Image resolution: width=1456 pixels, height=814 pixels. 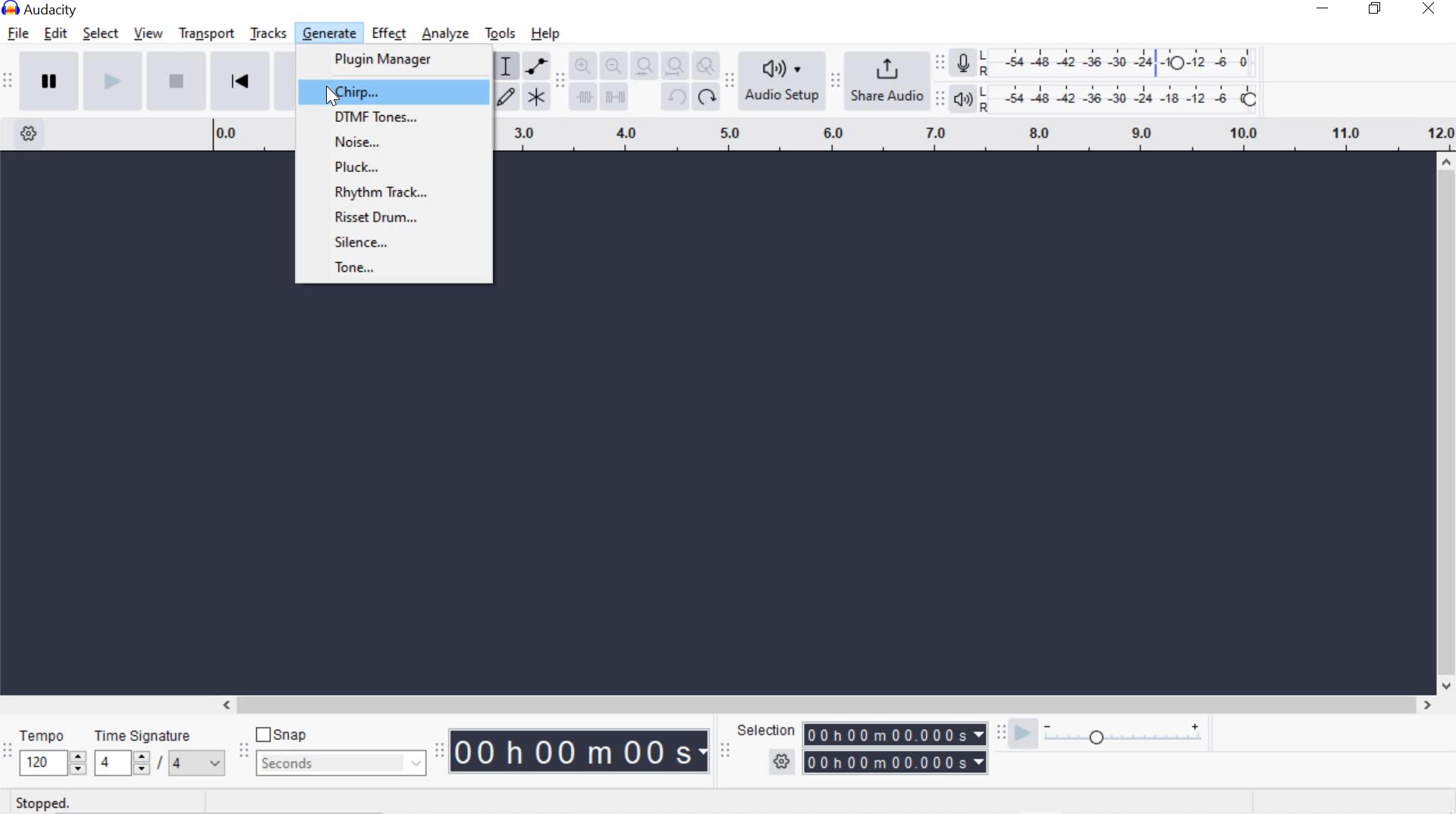 I want to click on time selection, so click(x=725, y=753).